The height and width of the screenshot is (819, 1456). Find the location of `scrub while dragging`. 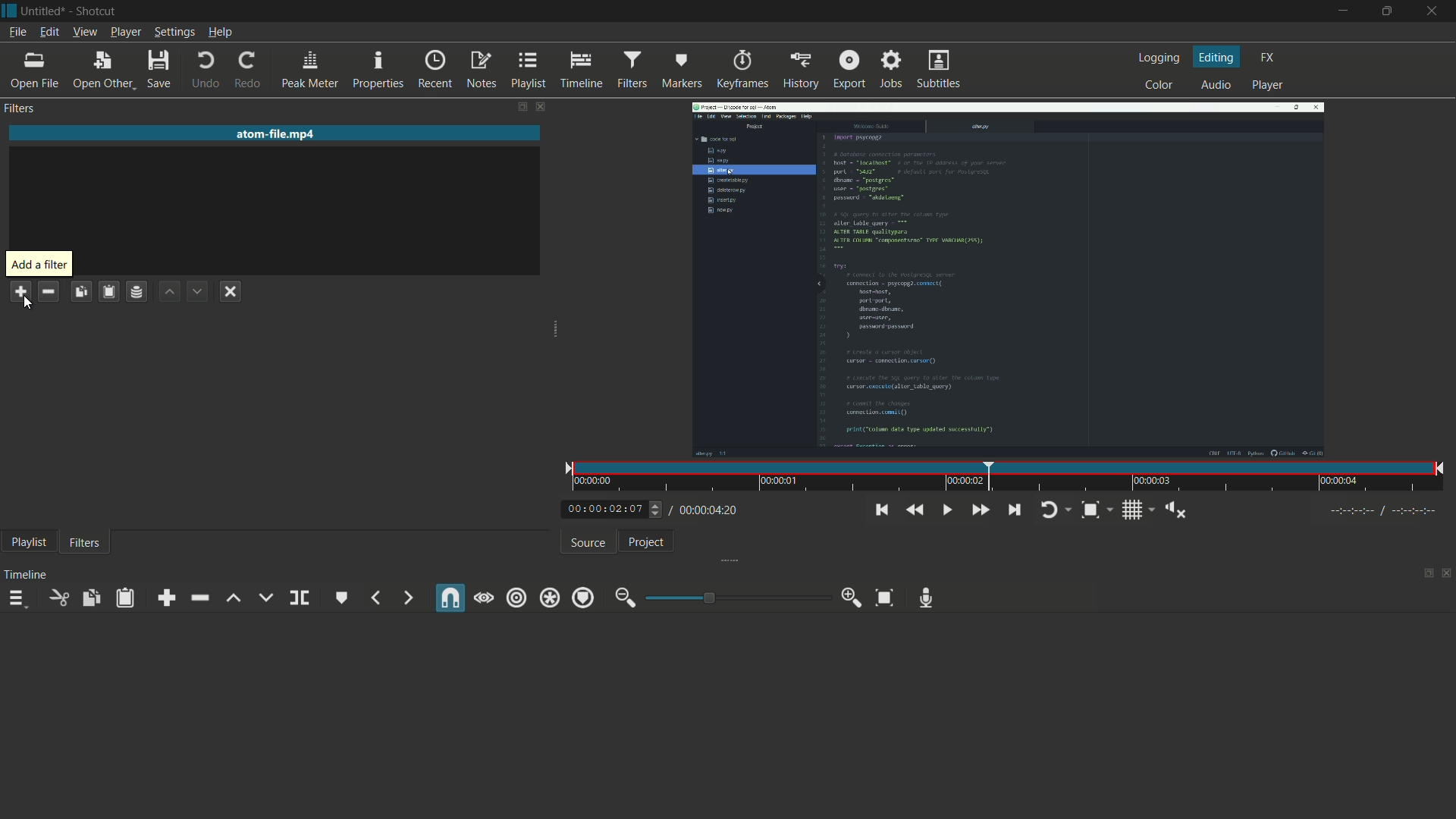

scrub while dragging is located at coordinates (484, 598).